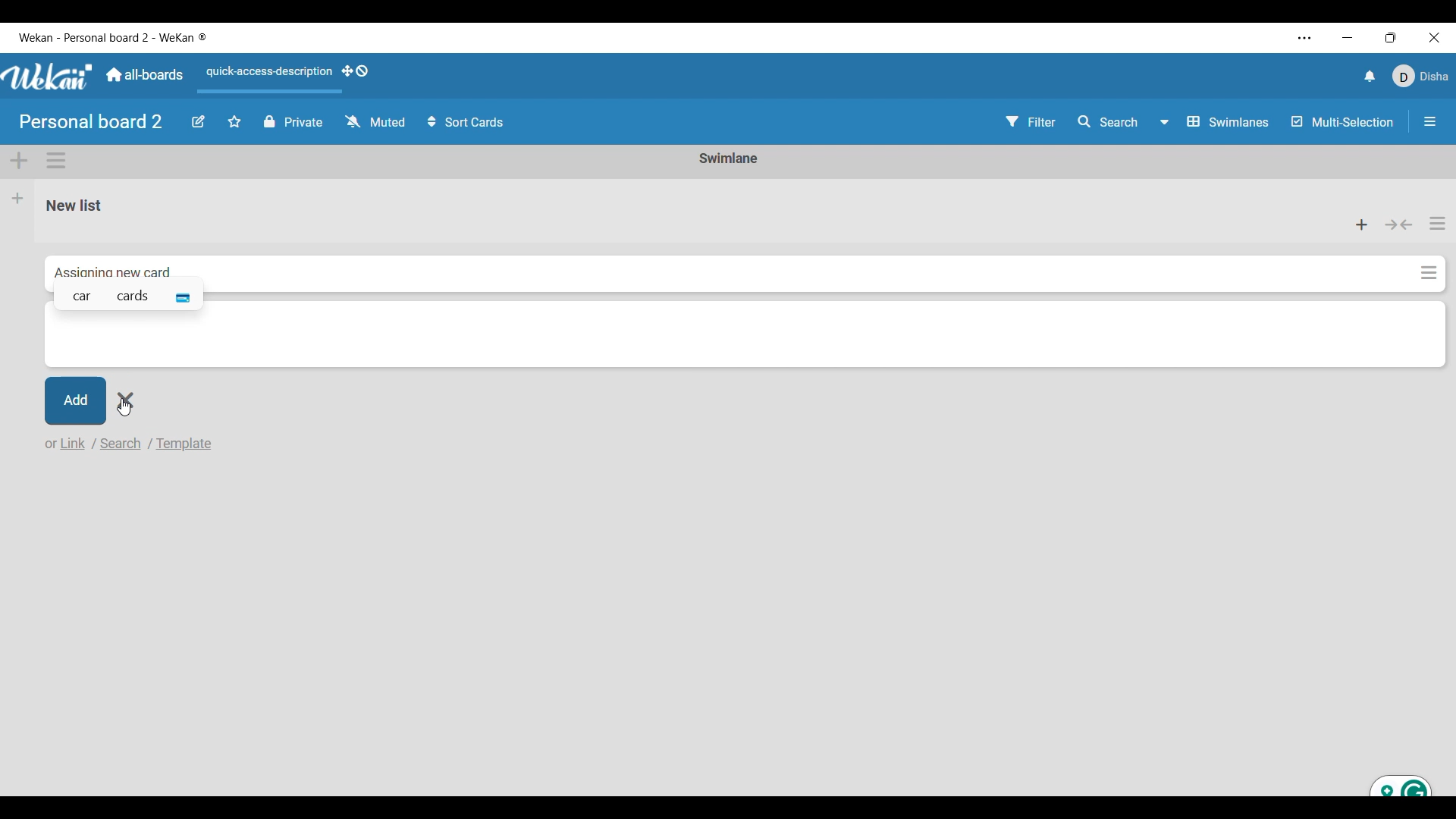 The height and width of the screenshot is (819, 1456). Describe the element at coordinates (199, 122) in the screenshot. I see `Edit` at that location.